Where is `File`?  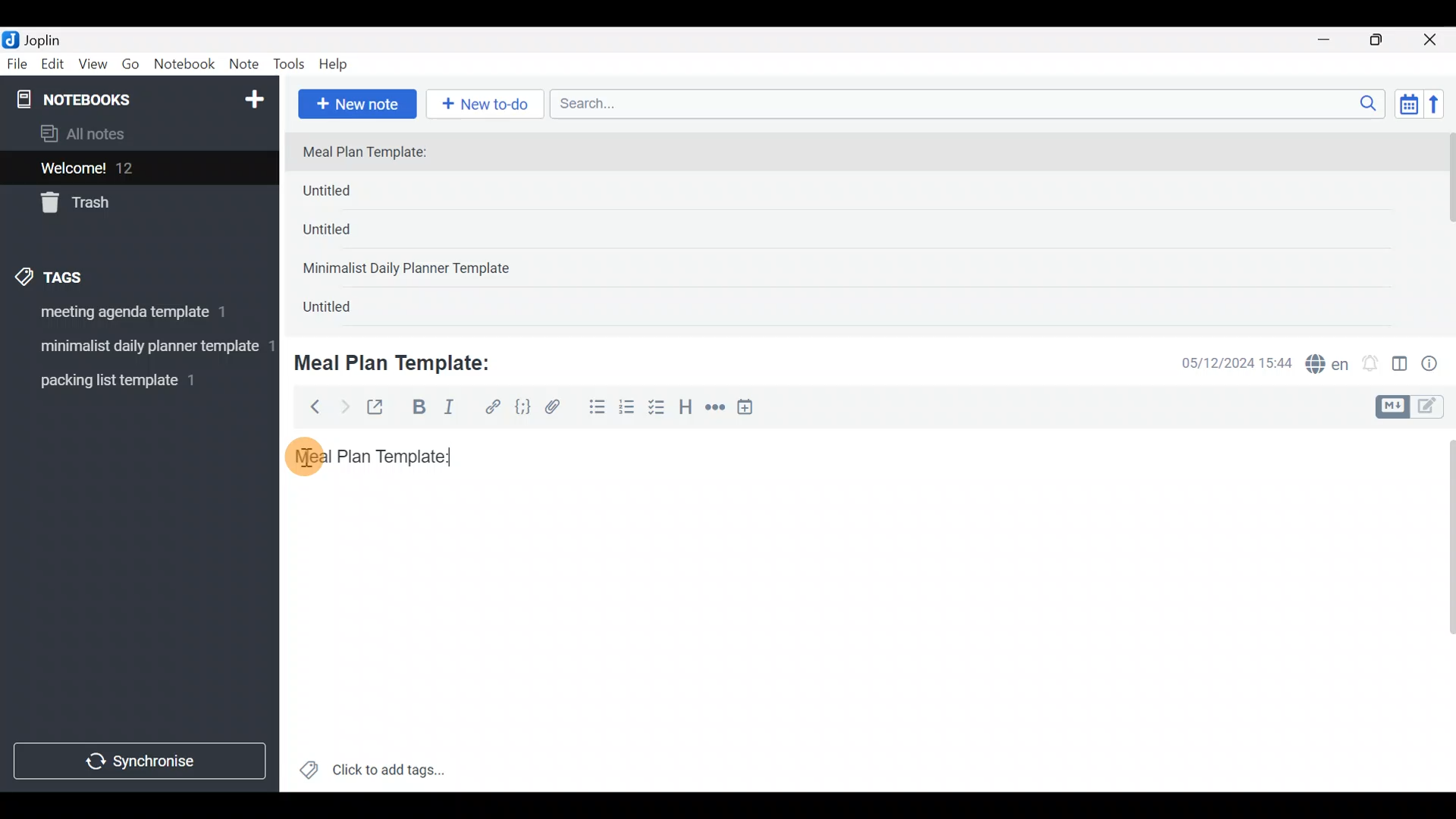 File is located at coordinates (18, 64).